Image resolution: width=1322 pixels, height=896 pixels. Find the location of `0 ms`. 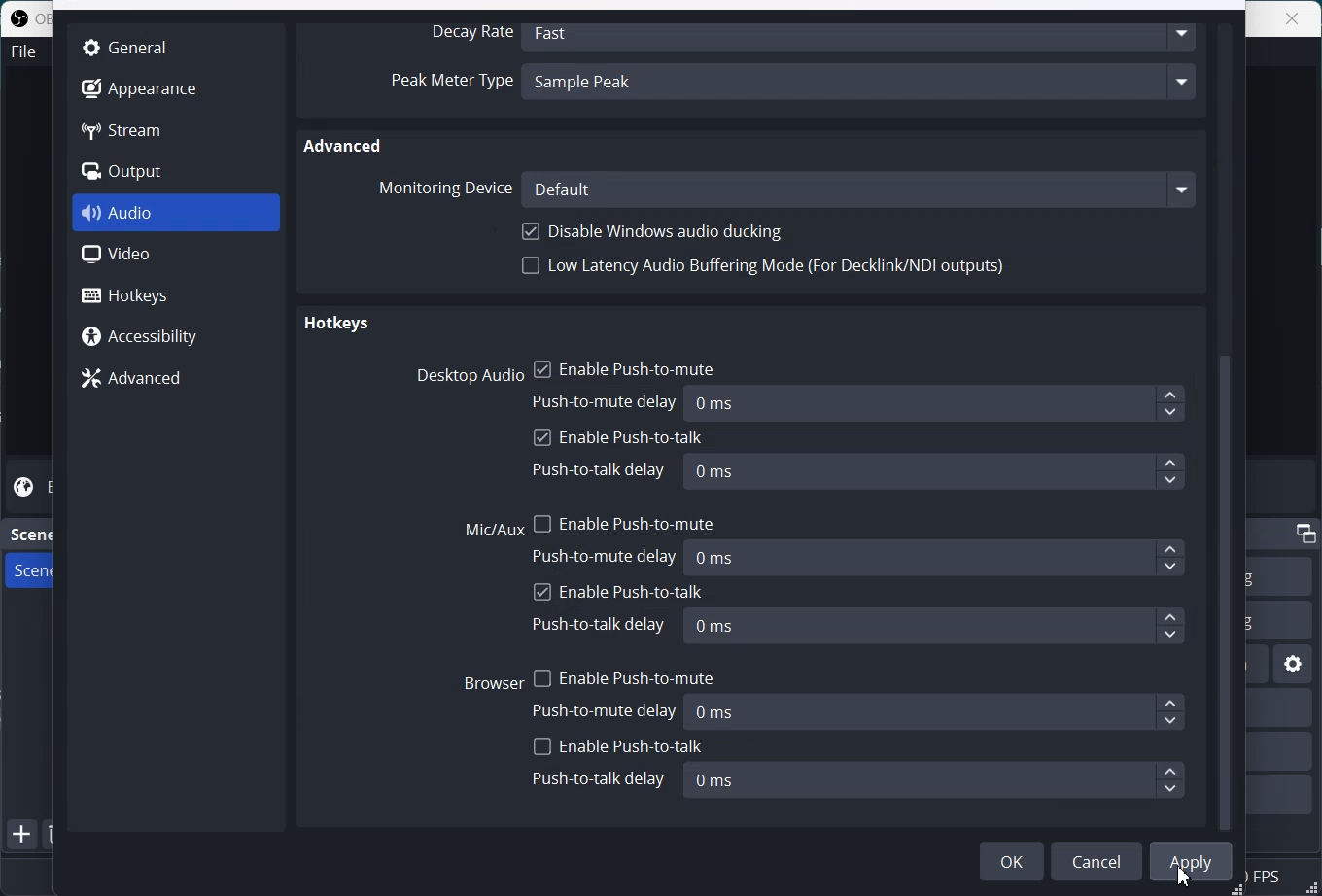

0 ms is located at coordinates (939, 711).